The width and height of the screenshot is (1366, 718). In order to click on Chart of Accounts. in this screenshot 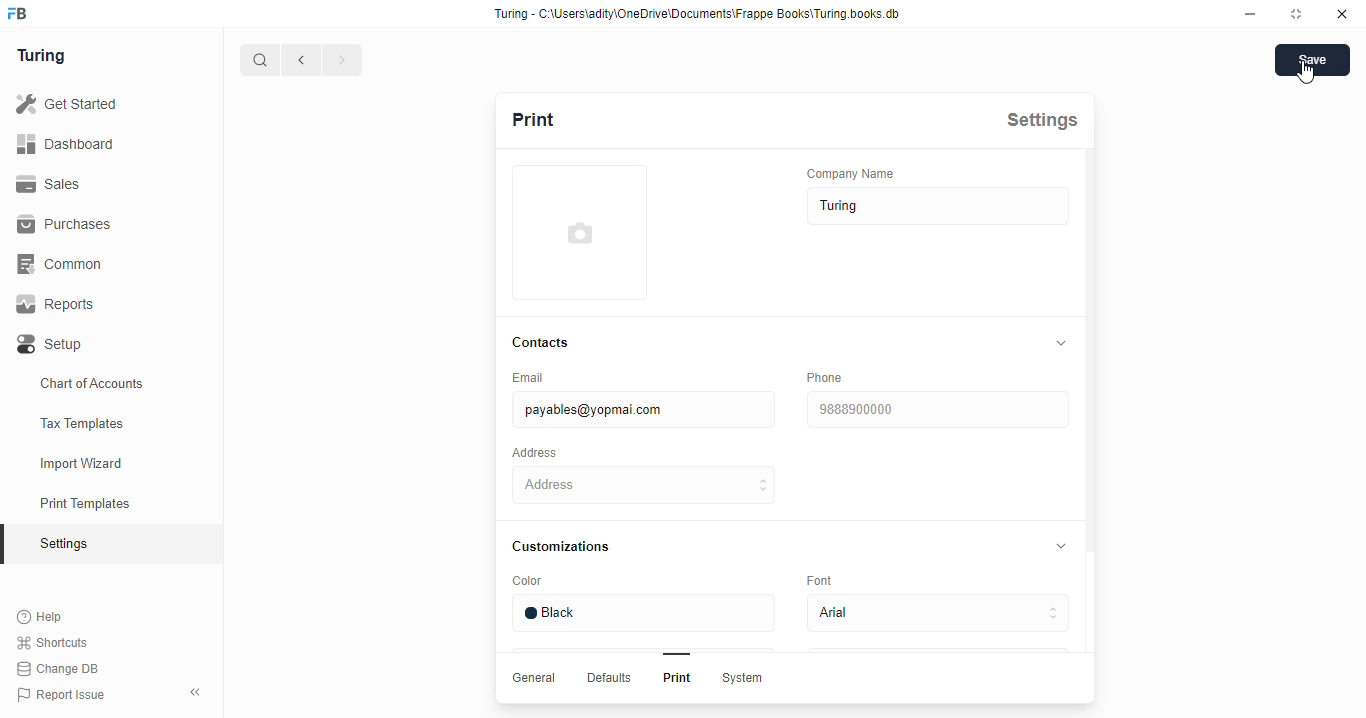, I will do `click(109, 384)`.